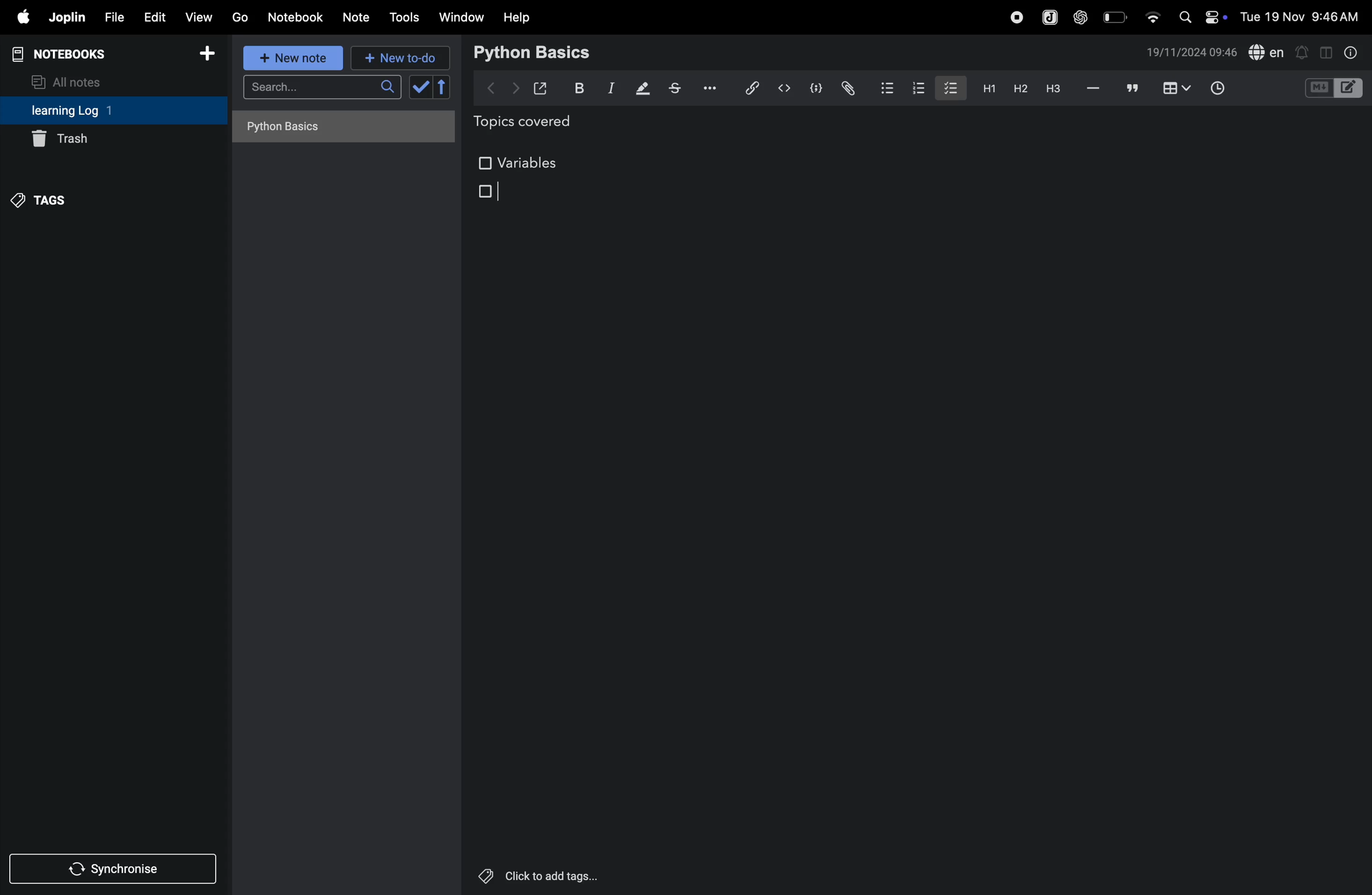 The height and width of the screenshot is (895, 1372). What do you see at coordinates (1327, 51) in the screenshot?
I see `toggle editor layout` at bounding box center [1327, 51].